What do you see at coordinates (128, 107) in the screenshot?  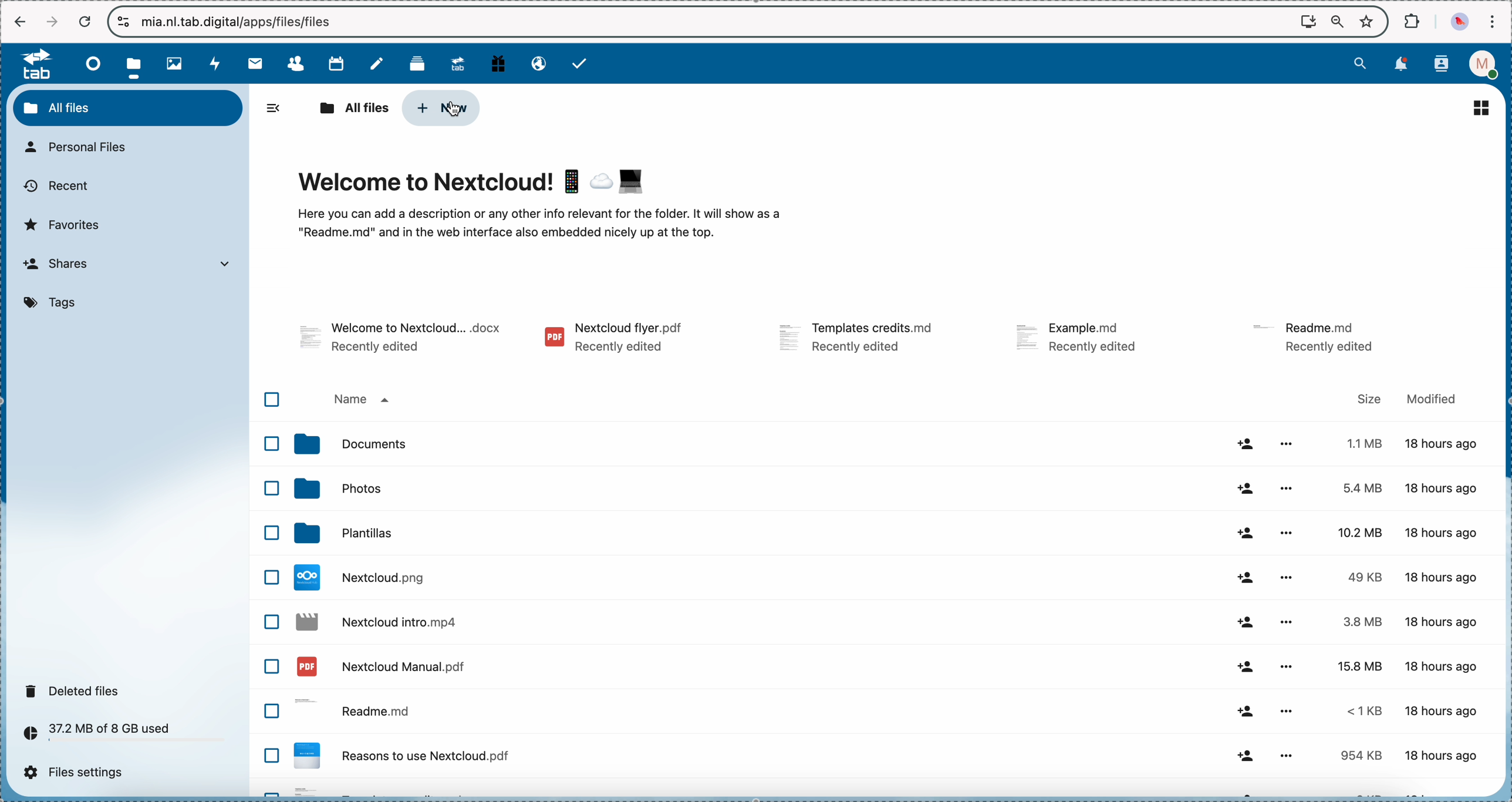 I see `all files` at bounding box center [128, 107].